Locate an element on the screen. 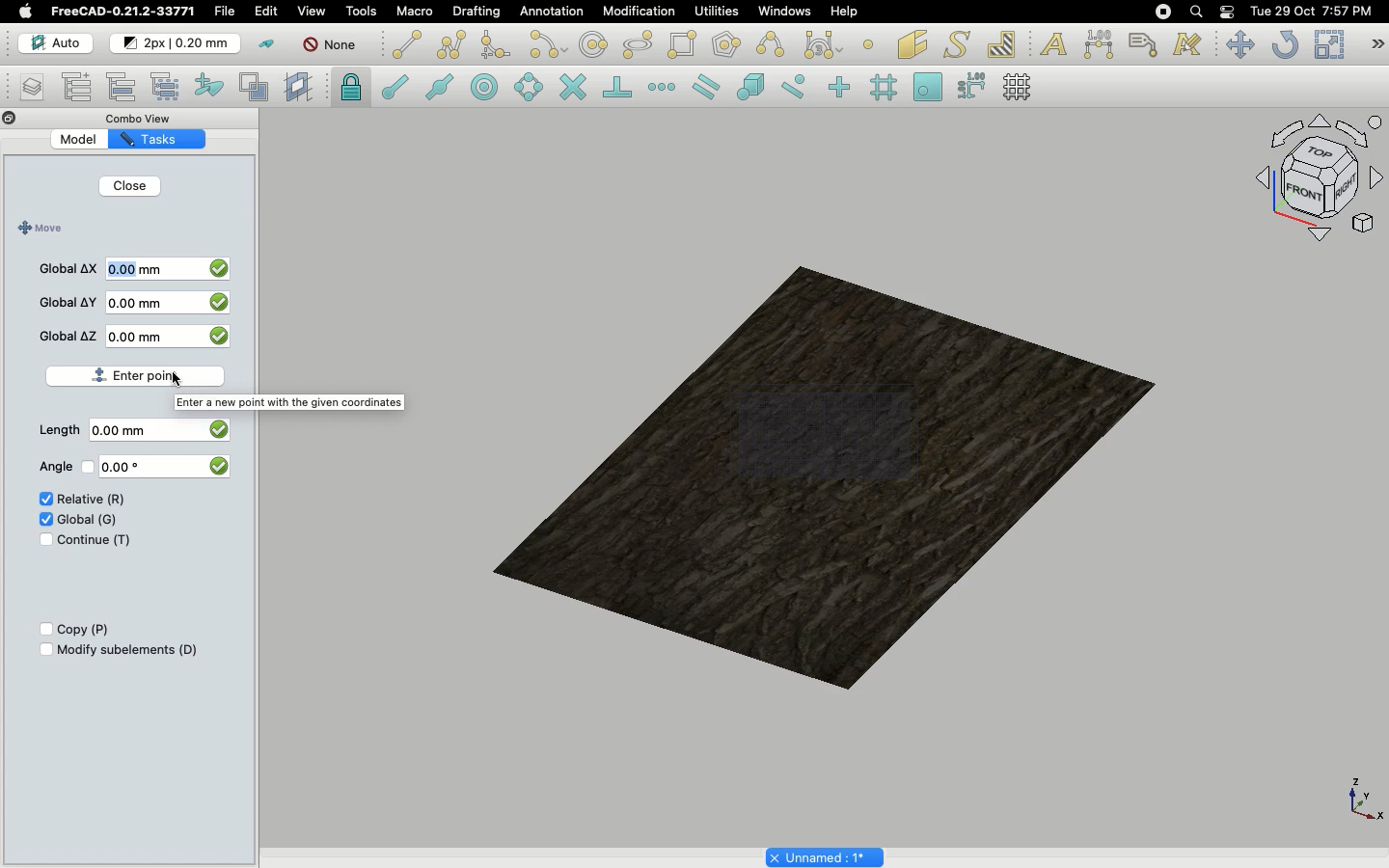 This screenshot has height=868, width=1389. Project name is located at coordinates (827, 855).